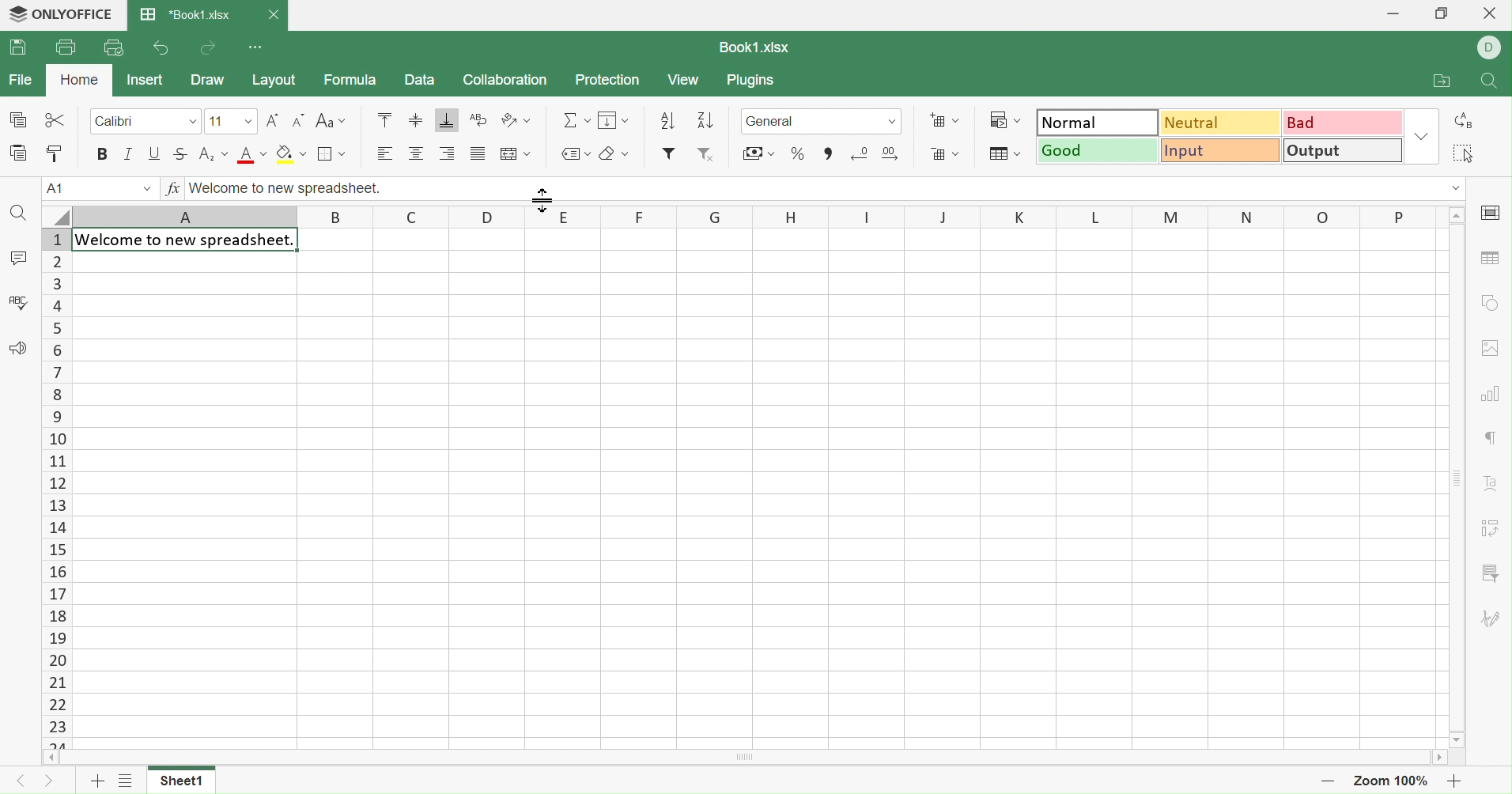 The height and width of the screenshot is (794, 1512). Describe the element at coordinates (195, 121) in the screenshot. I see `Drop Down` at that location.